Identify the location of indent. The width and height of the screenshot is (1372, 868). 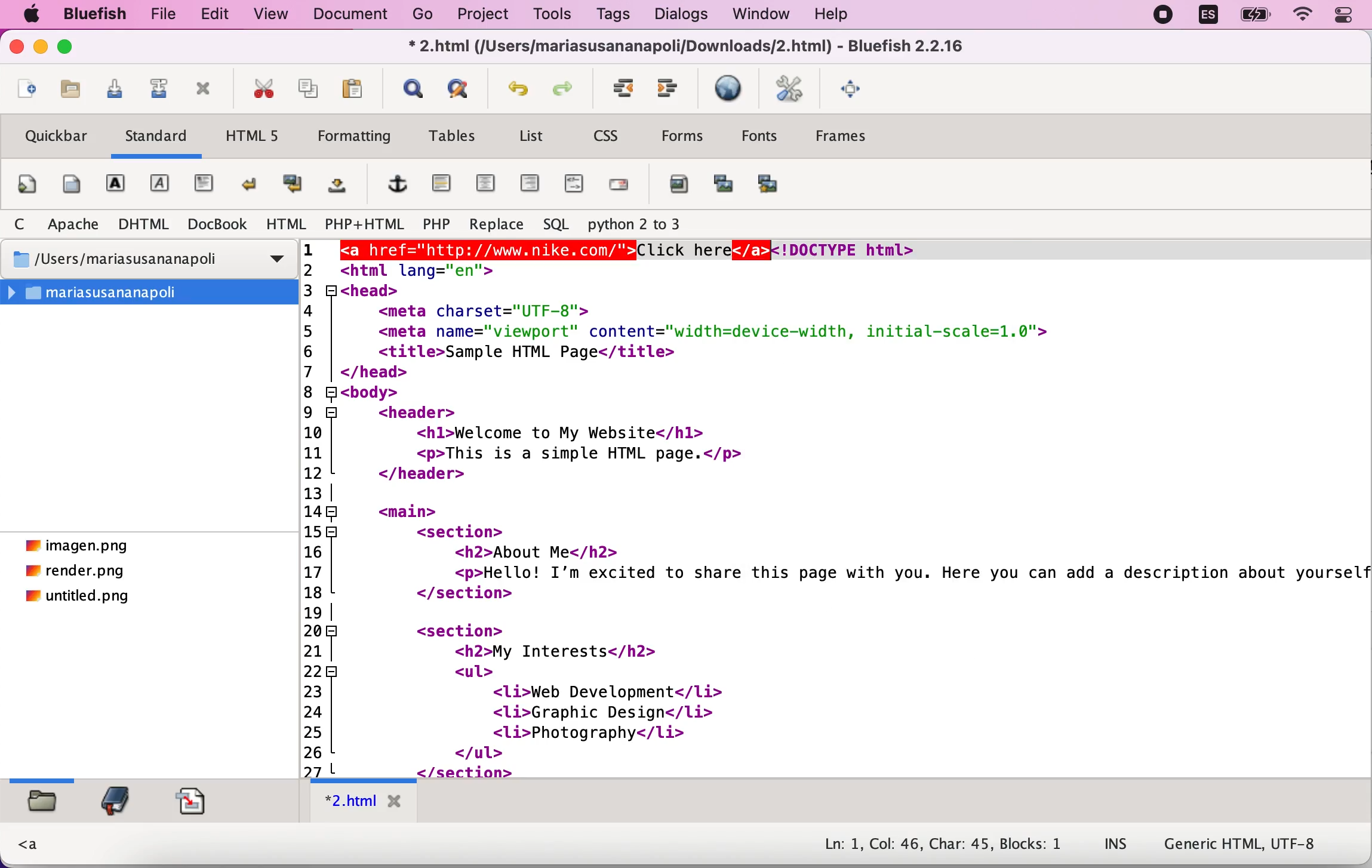
(672, 90).